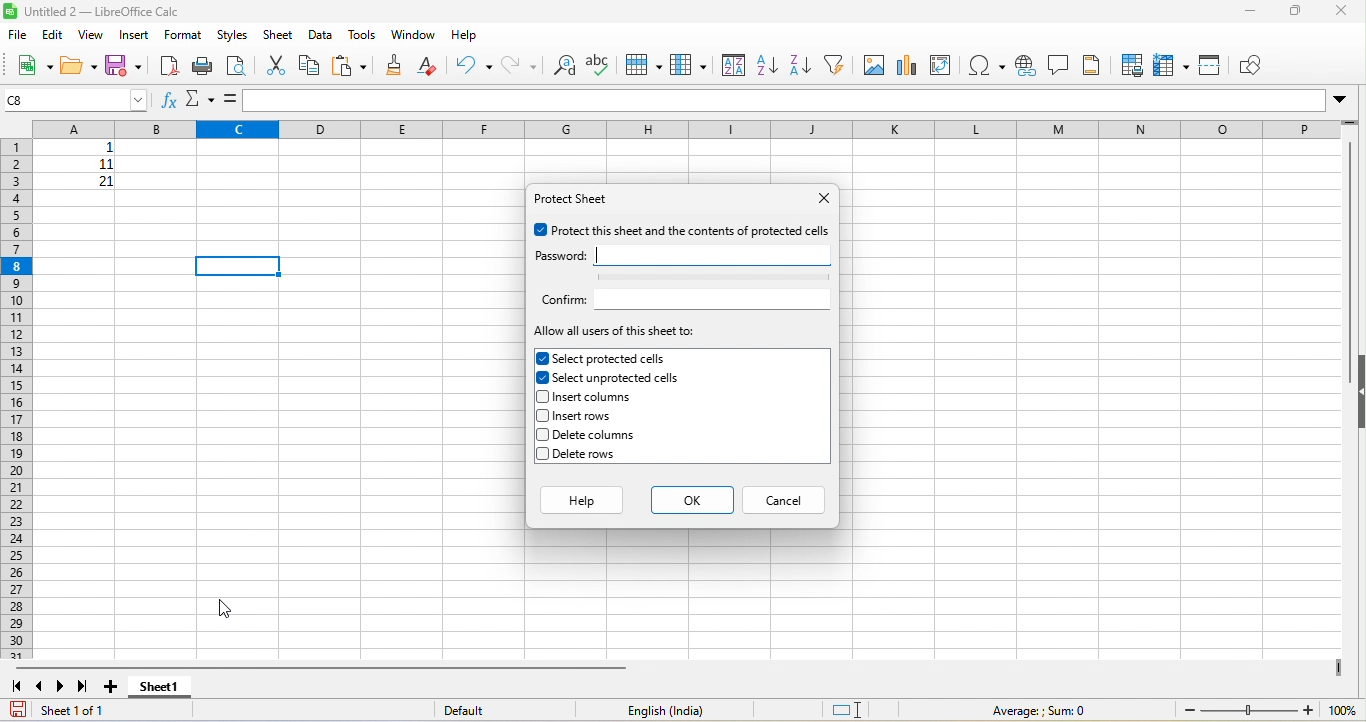 This screenshot has height=722, width=1366. What do you see at coordinates (474, 66) in the screenshot?
I see `undo` at bounding box center [474, 66].